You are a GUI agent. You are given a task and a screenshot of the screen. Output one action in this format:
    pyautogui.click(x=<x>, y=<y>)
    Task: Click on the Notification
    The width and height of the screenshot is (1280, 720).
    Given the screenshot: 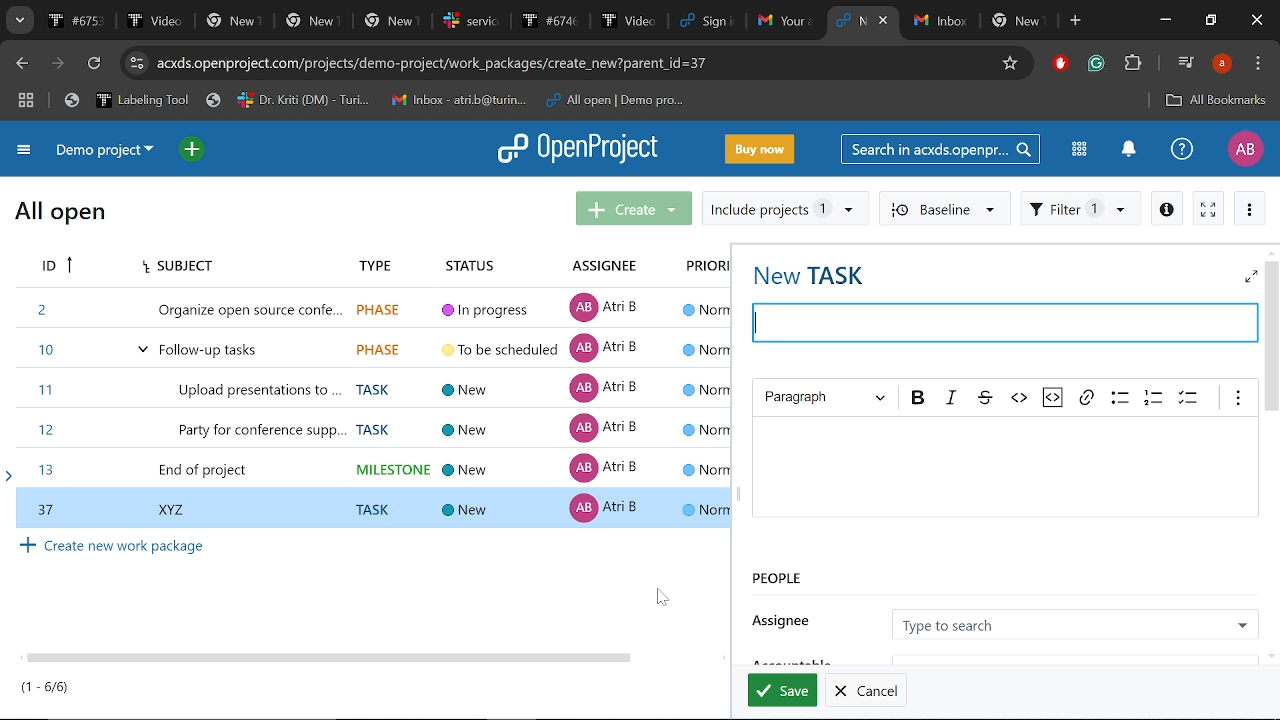 What is the action you would take?
    pyautogui.click(x=1127, y=151)
    